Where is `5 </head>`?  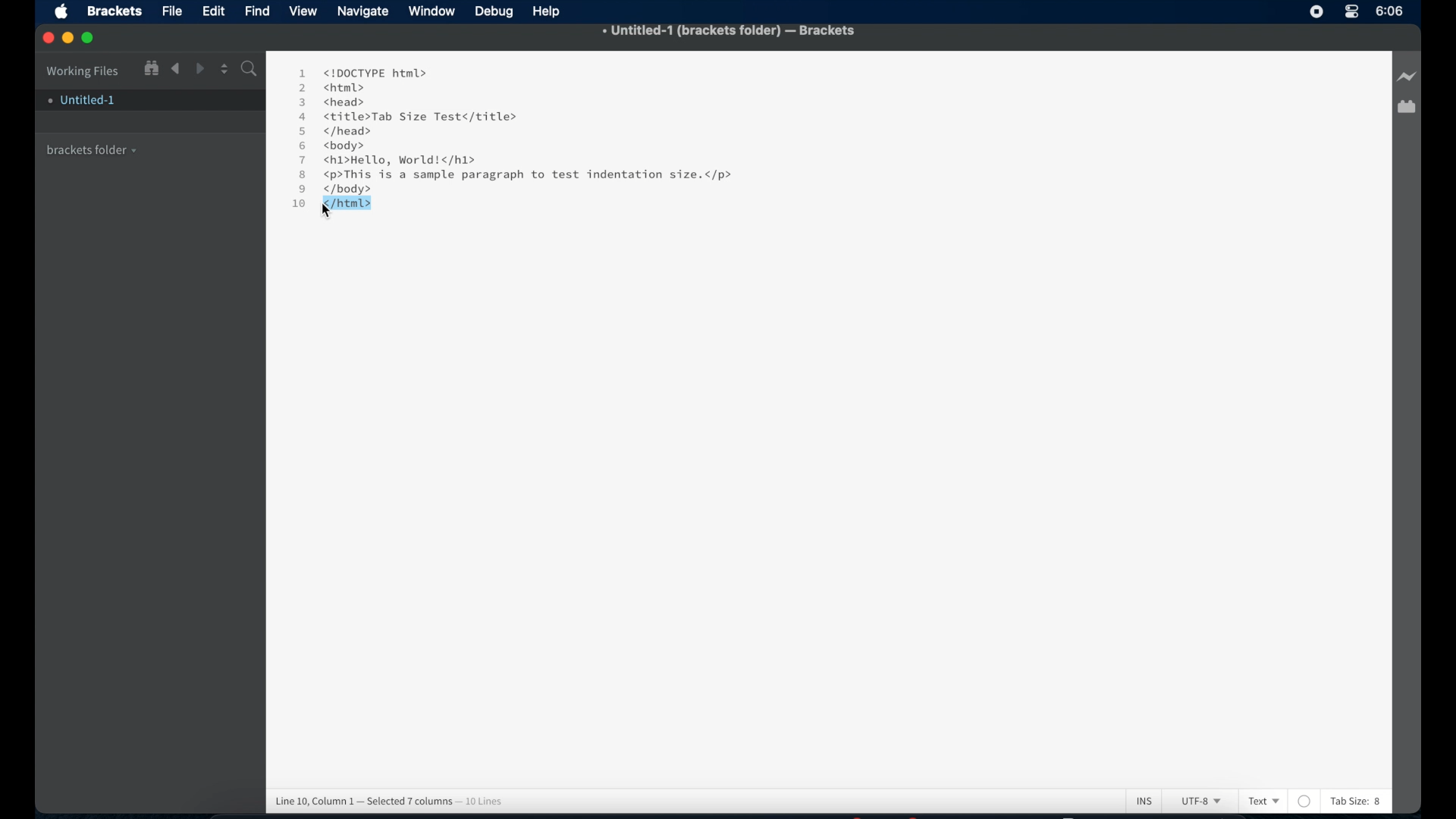 5 </head> is located at coordinates (334, 132).